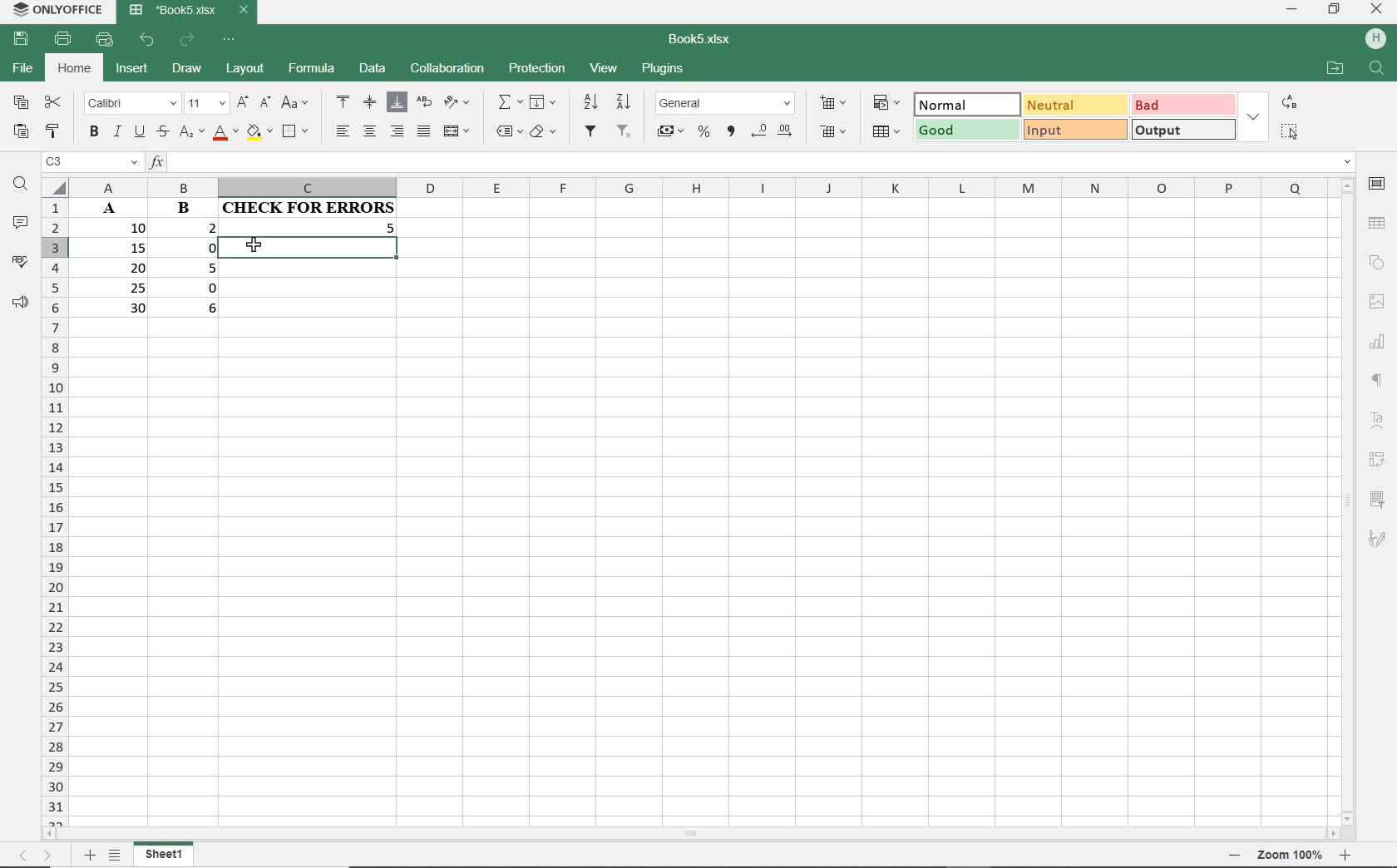 The height and width of the screenshot is (868, 1397). What do you see at coordinates (17, 299) in the screenshot?
I see `FEEDBACK & SUPPORT` at bounding box center [17, 299].